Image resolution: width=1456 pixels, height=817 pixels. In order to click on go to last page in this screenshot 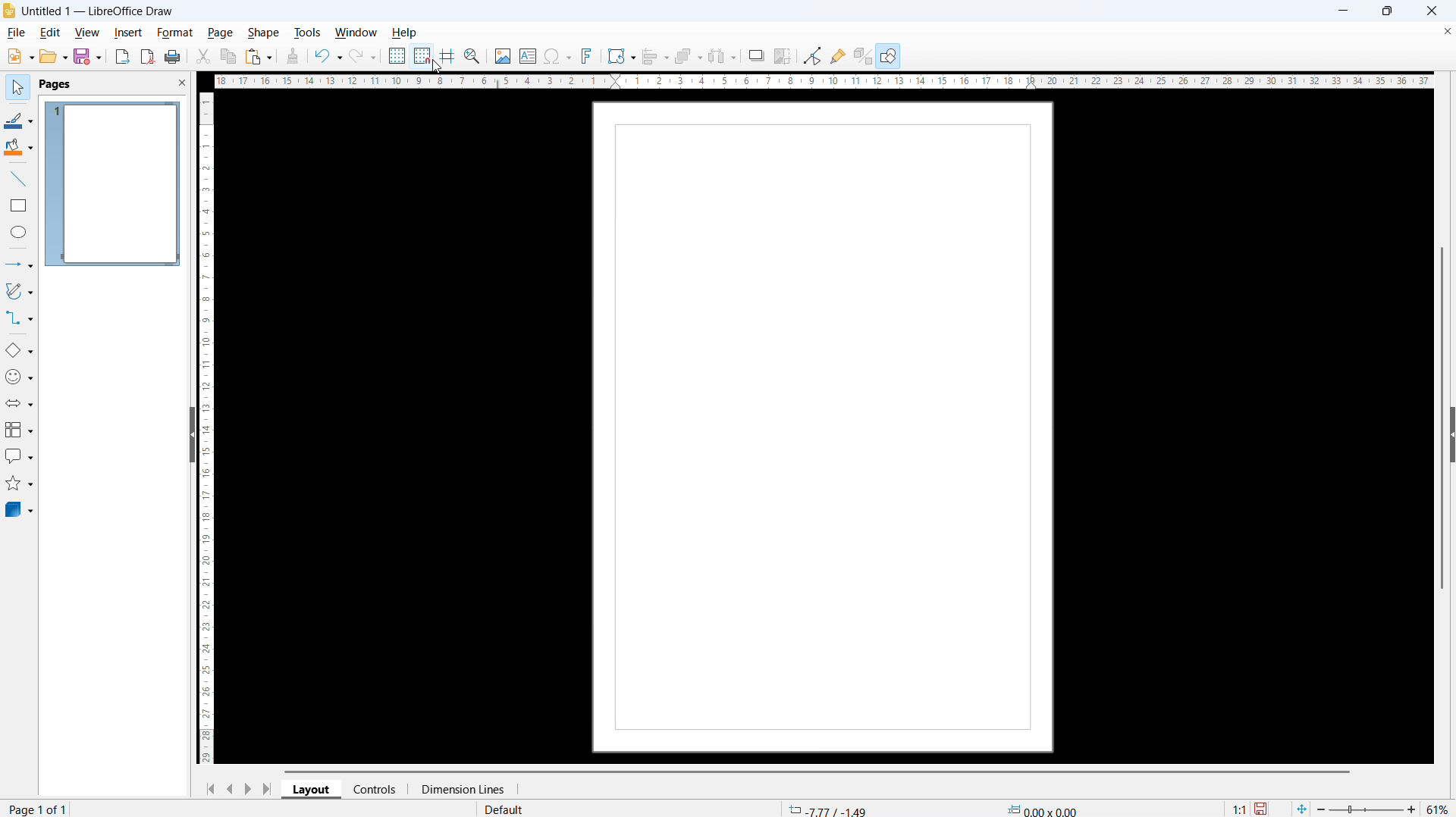, I will do `click(267, 789)`.